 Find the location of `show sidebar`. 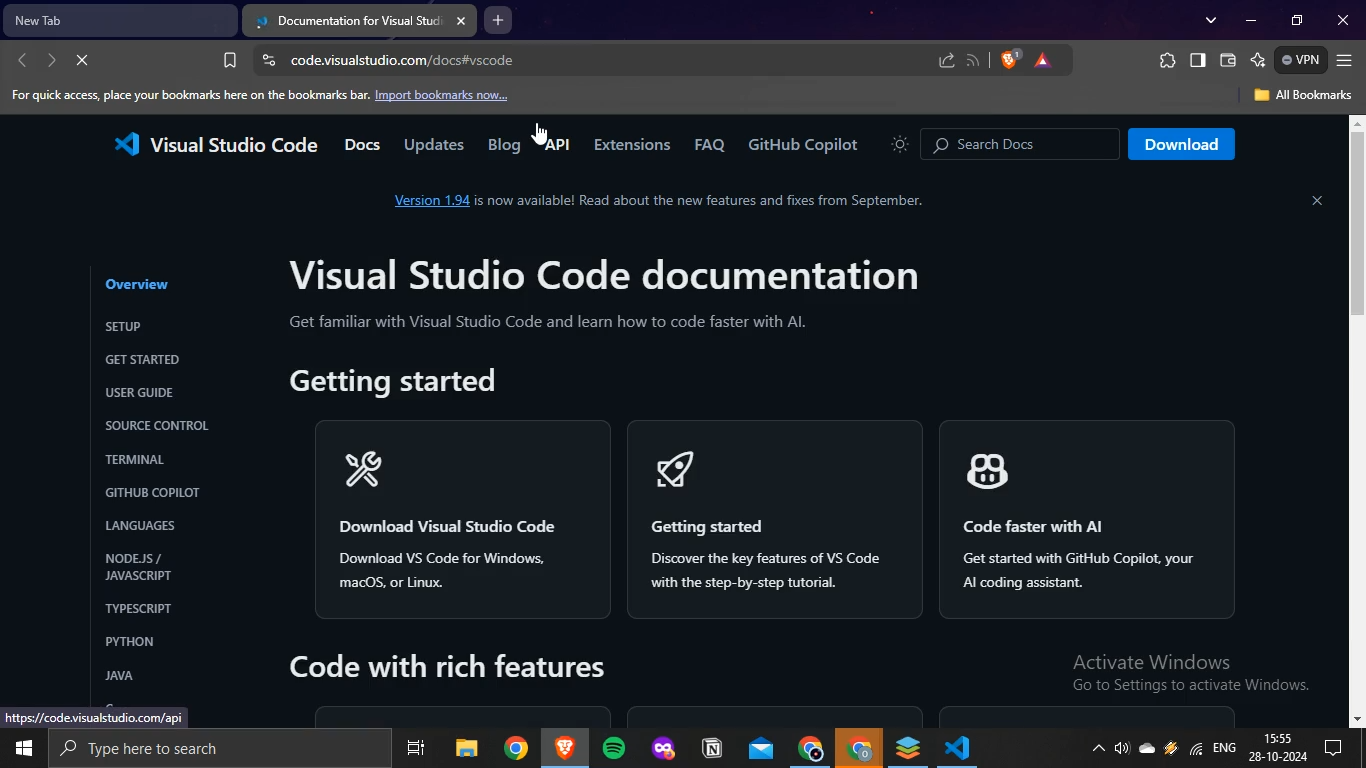

show sidebar is located at coordinates (1198, 61).